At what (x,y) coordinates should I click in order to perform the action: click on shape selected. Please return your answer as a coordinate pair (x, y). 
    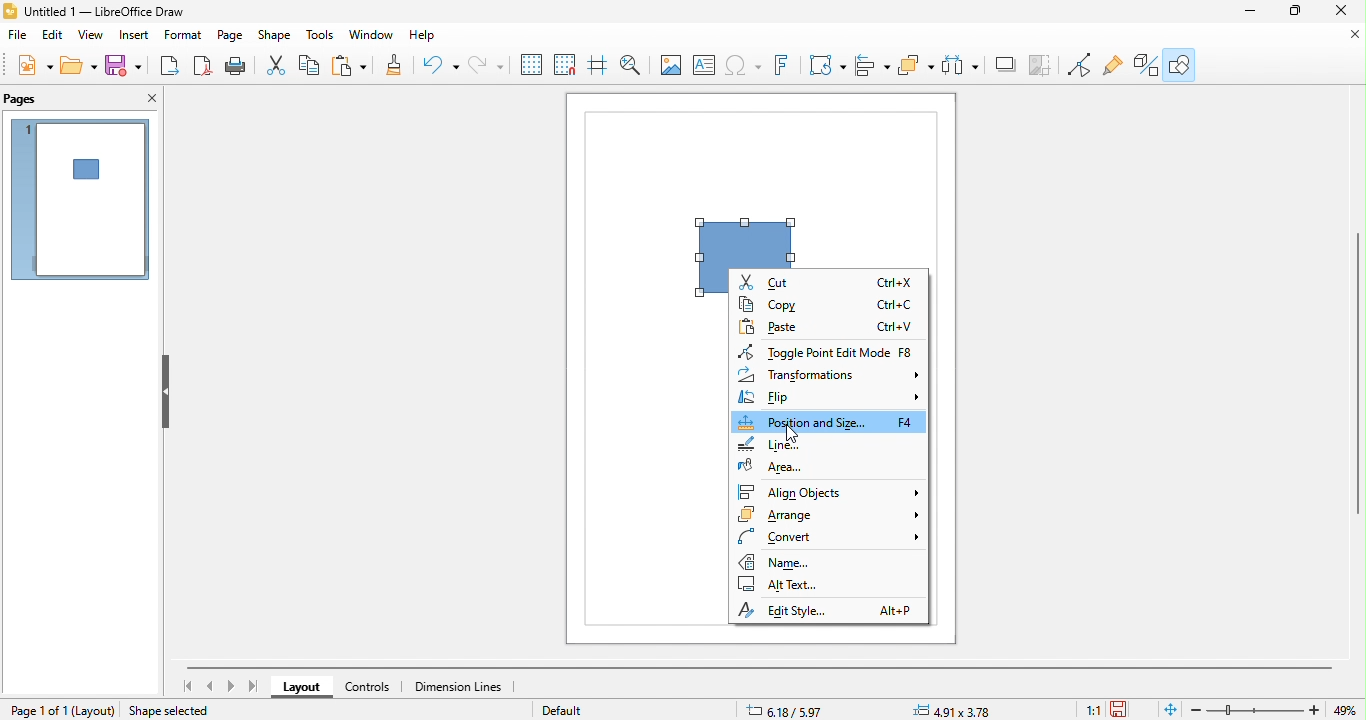
    Looking at the image, I should click on (176, 709).